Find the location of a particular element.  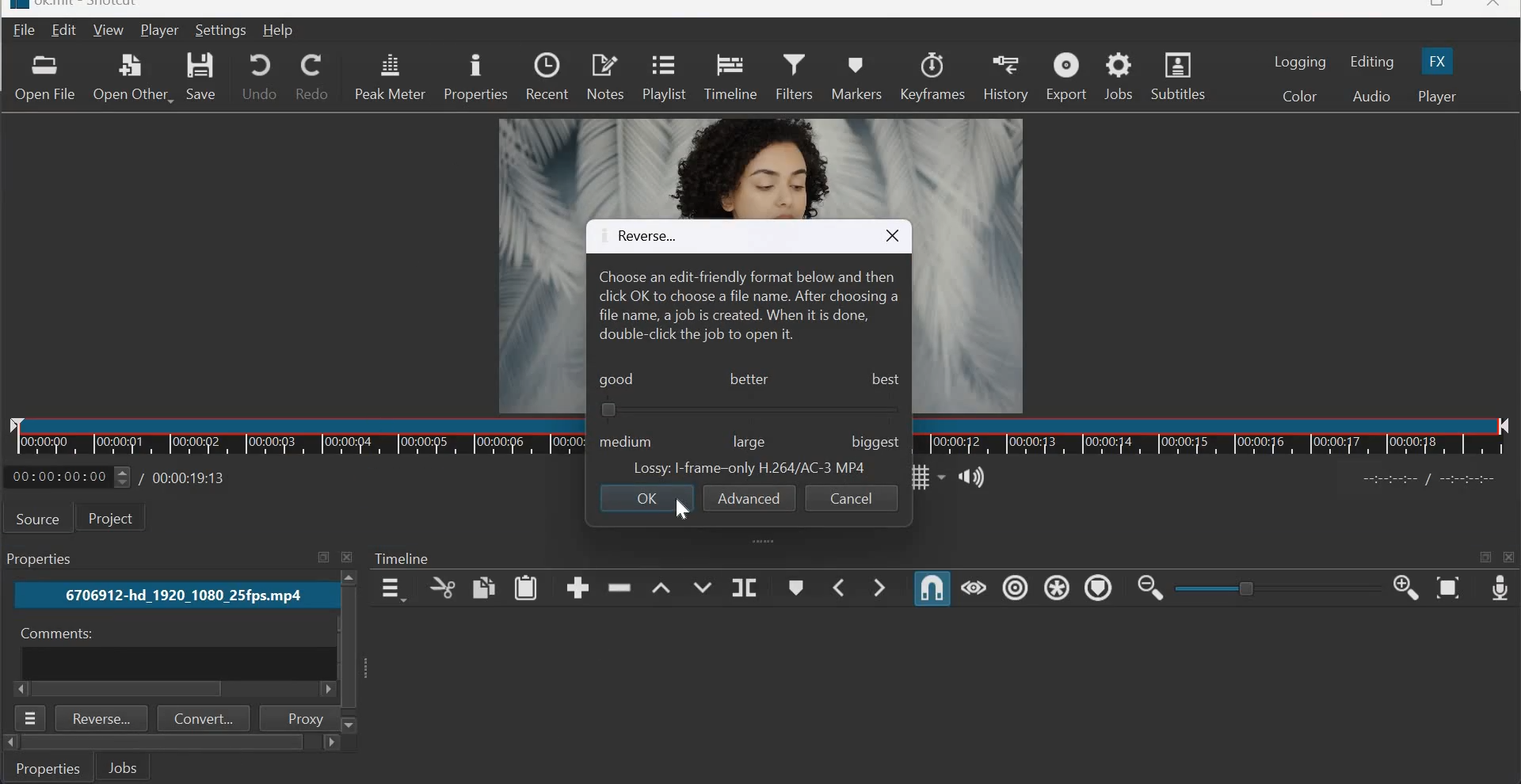

Markers is located at coordinates (859, 77).